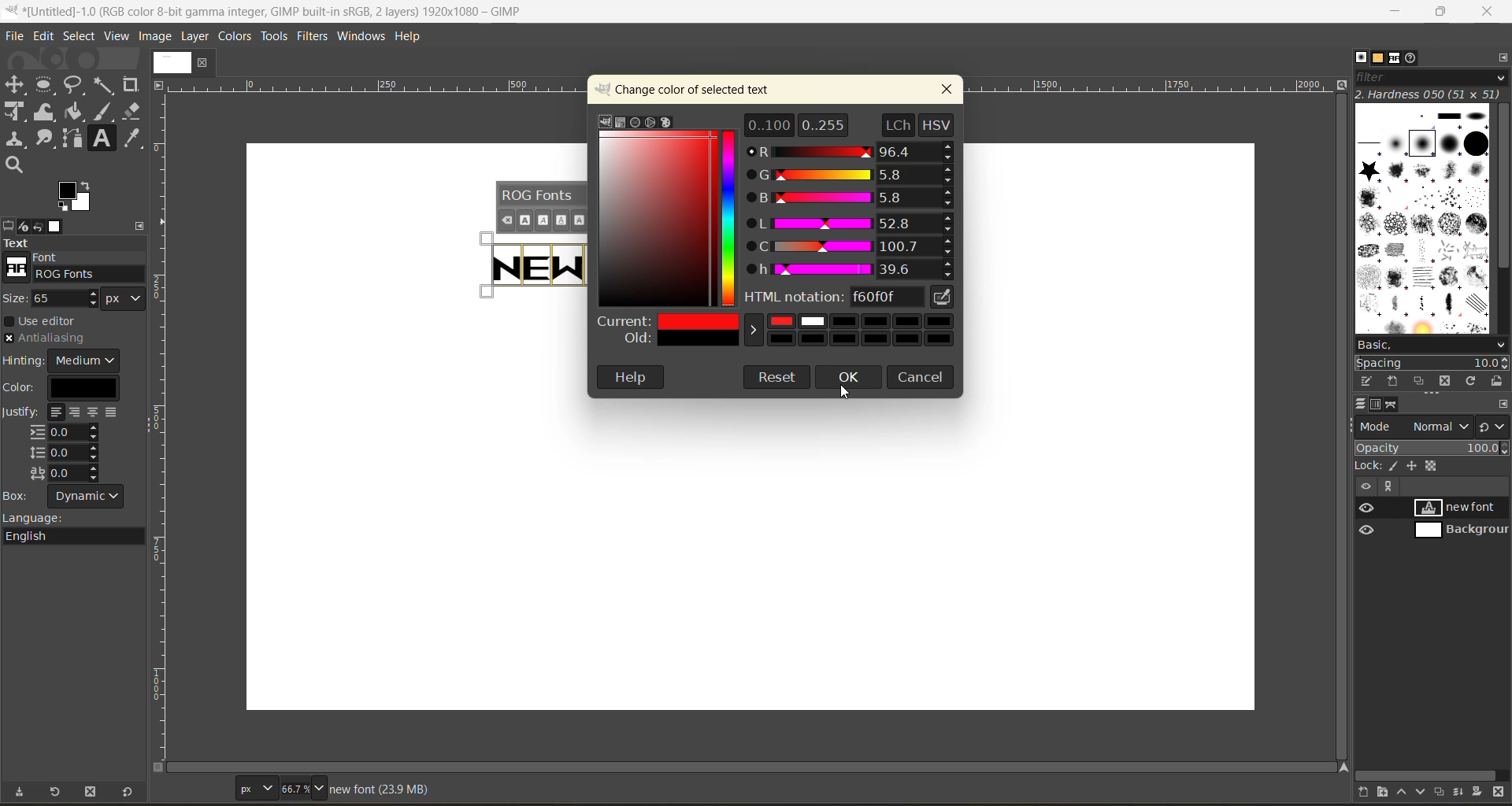 The width and height of the screenshot is (1512, 806). I want to click on layer, so click(197, 38).